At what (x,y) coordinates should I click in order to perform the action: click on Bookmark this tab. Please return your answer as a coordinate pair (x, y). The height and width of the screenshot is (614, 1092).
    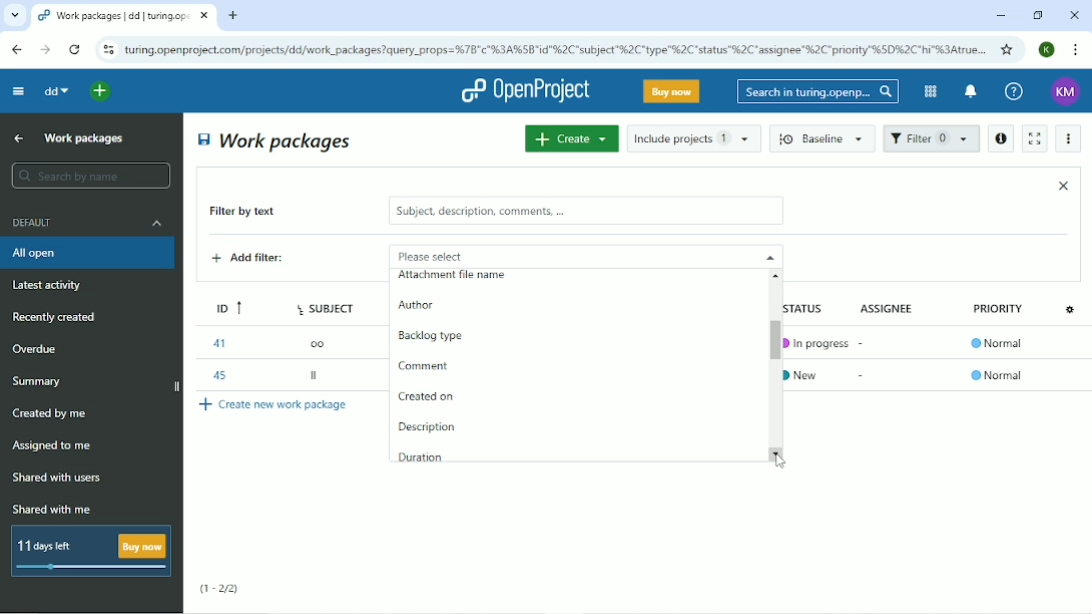
    Looking at the image, I should click on (1007, 49).